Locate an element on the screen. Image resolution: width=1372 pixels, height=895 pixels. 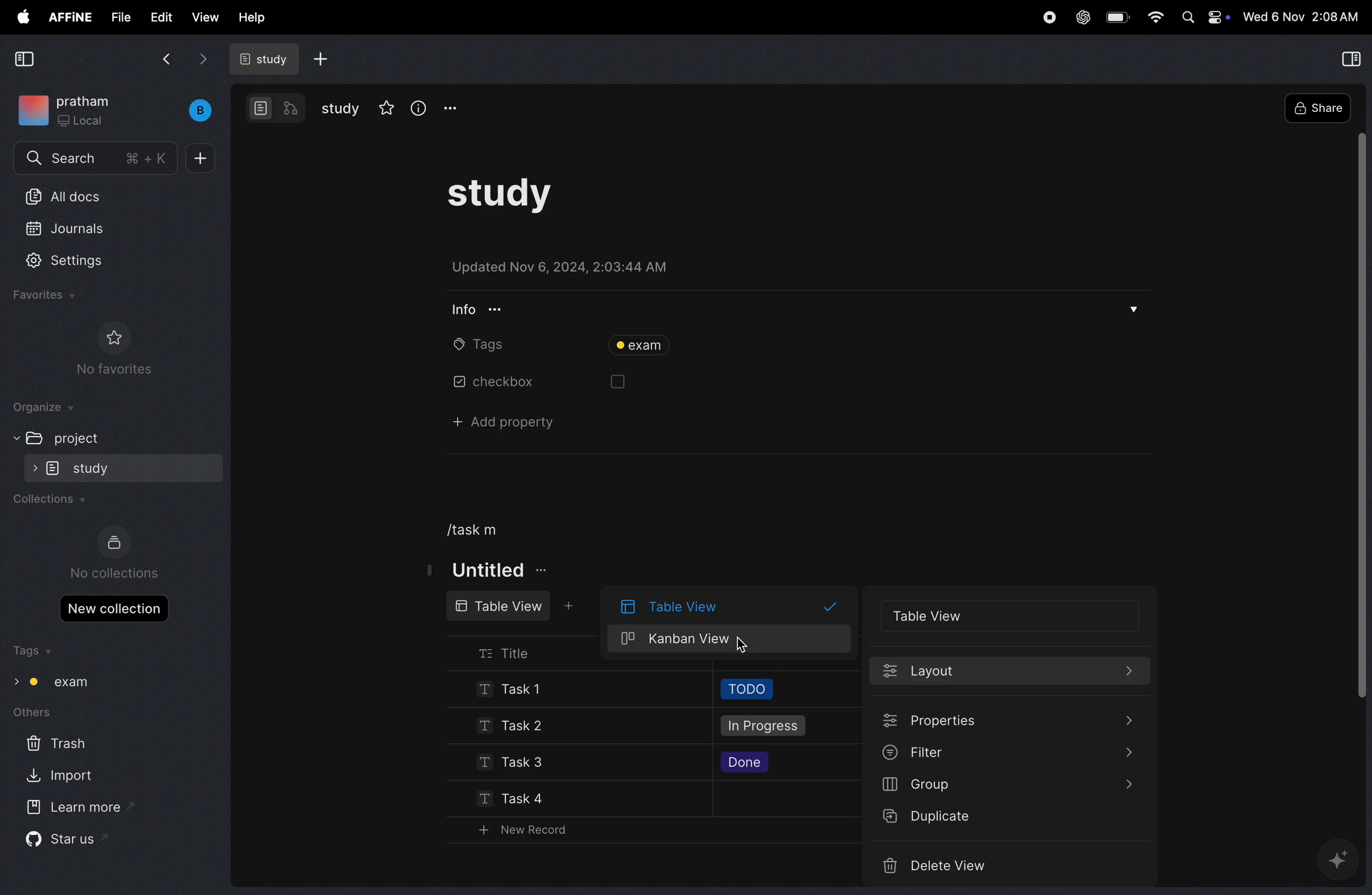
record is located at coordinates (1046, 17).